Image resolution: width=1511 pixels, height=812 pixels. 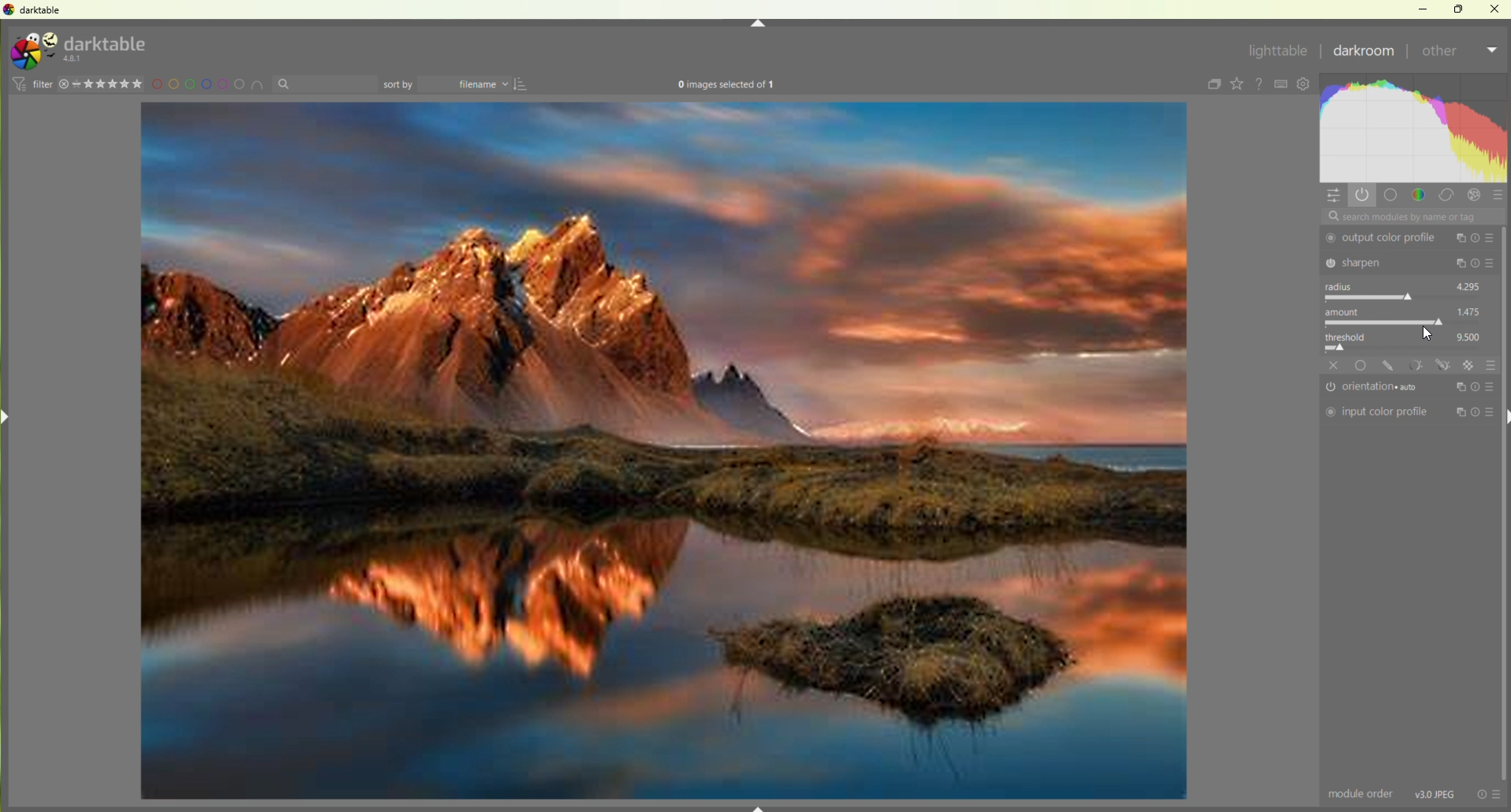 I want to click on Presets , so click(x=1499, y=197).